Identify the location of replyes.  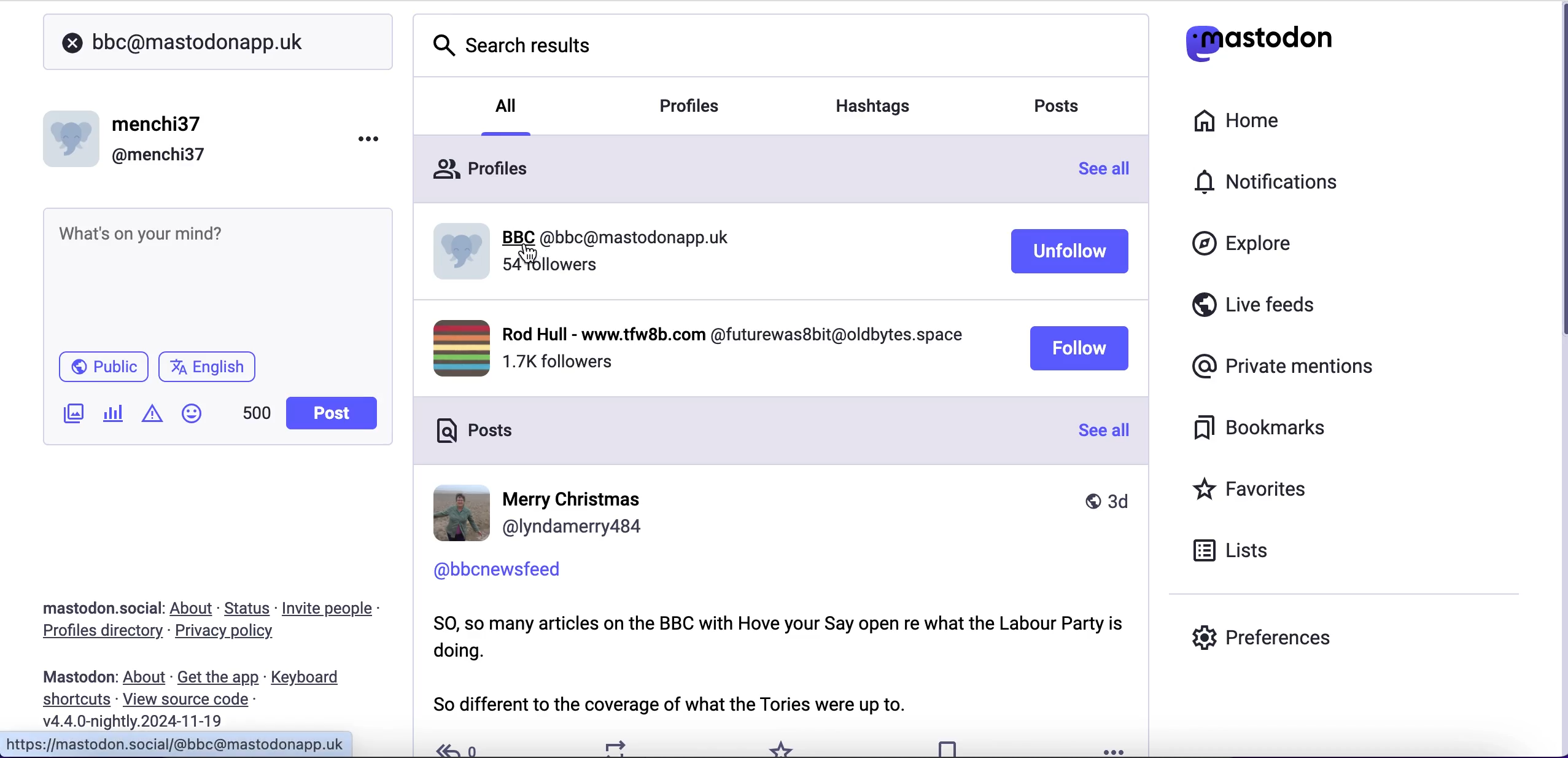
(460, 746).